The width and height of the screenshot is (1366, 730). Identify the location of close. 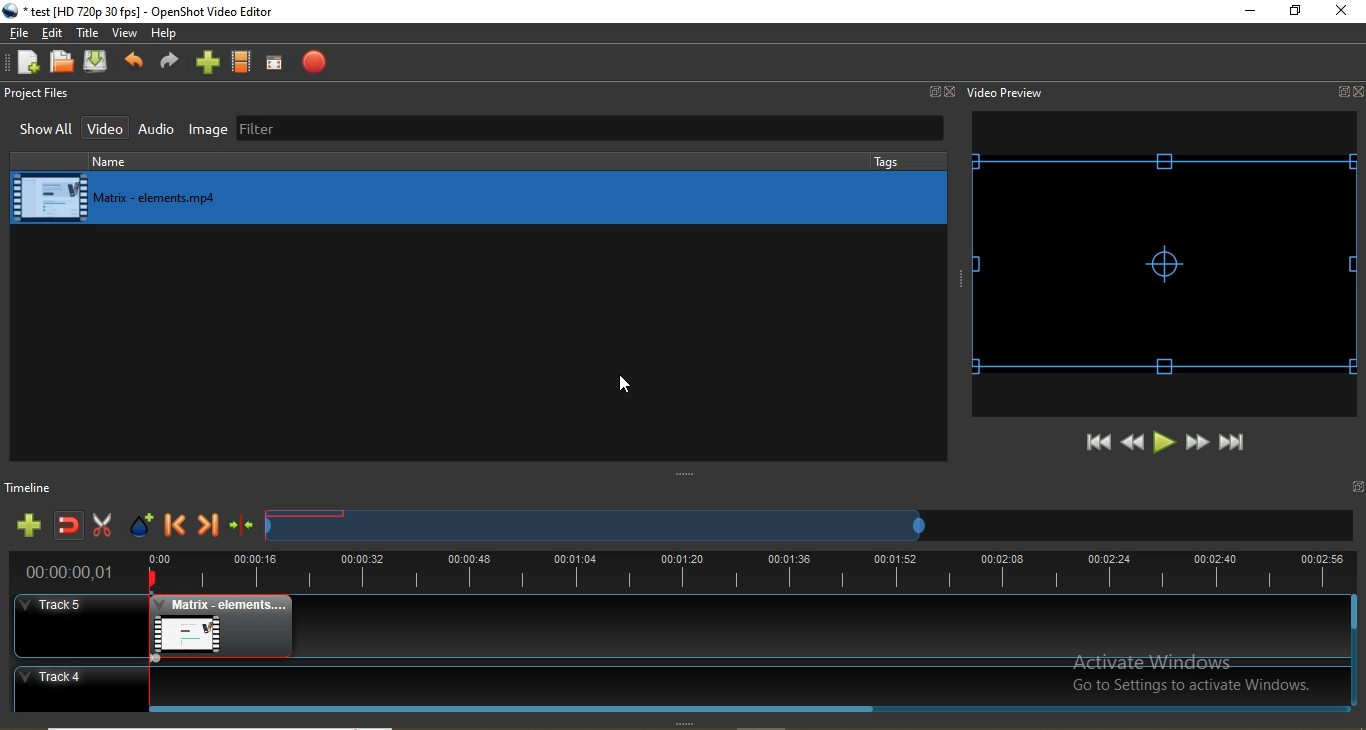
(1341, 12).